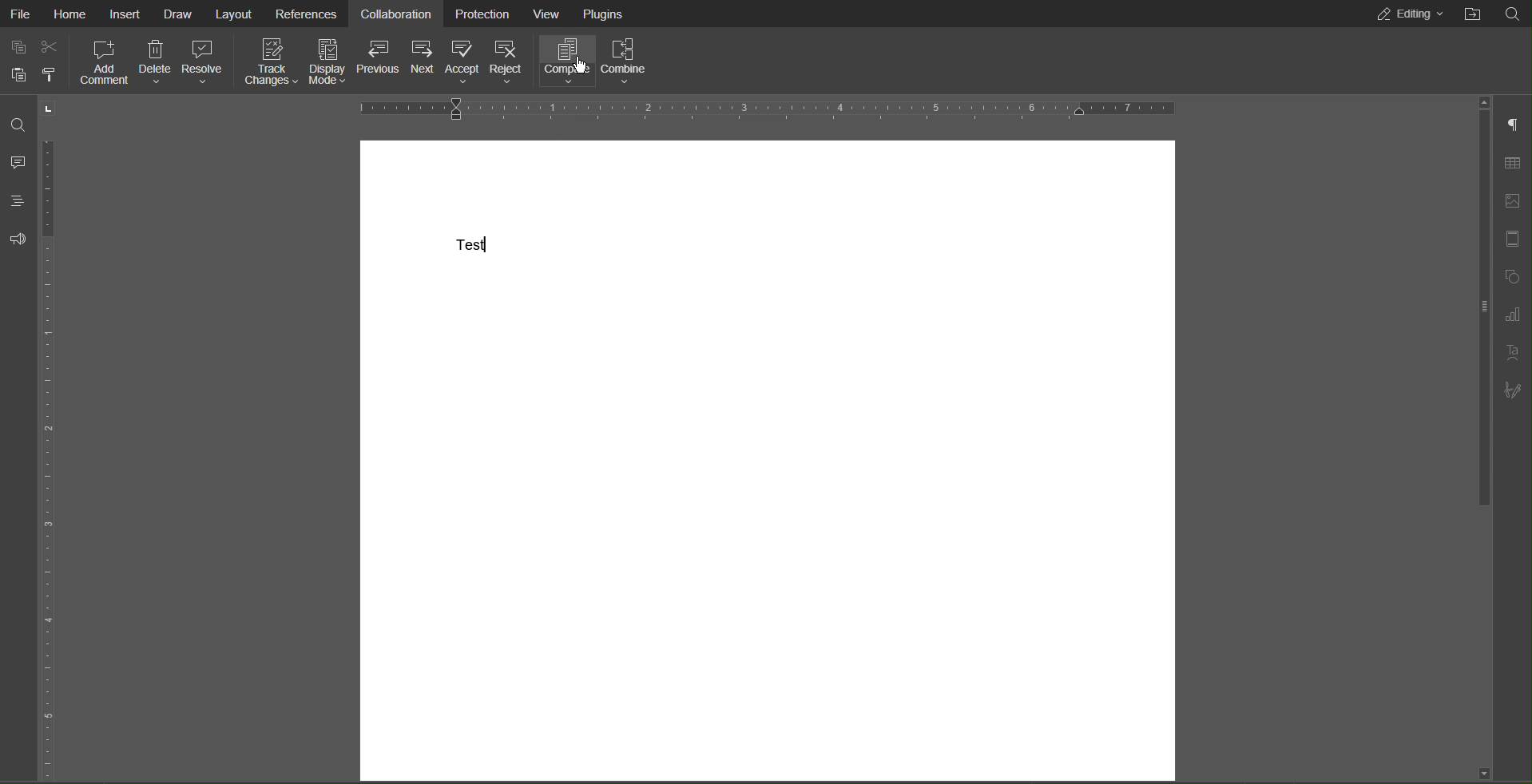  What do you see at coordinates (202, 63) in the screenshot?
I see `Resolve` at bounding box center [202, 63].